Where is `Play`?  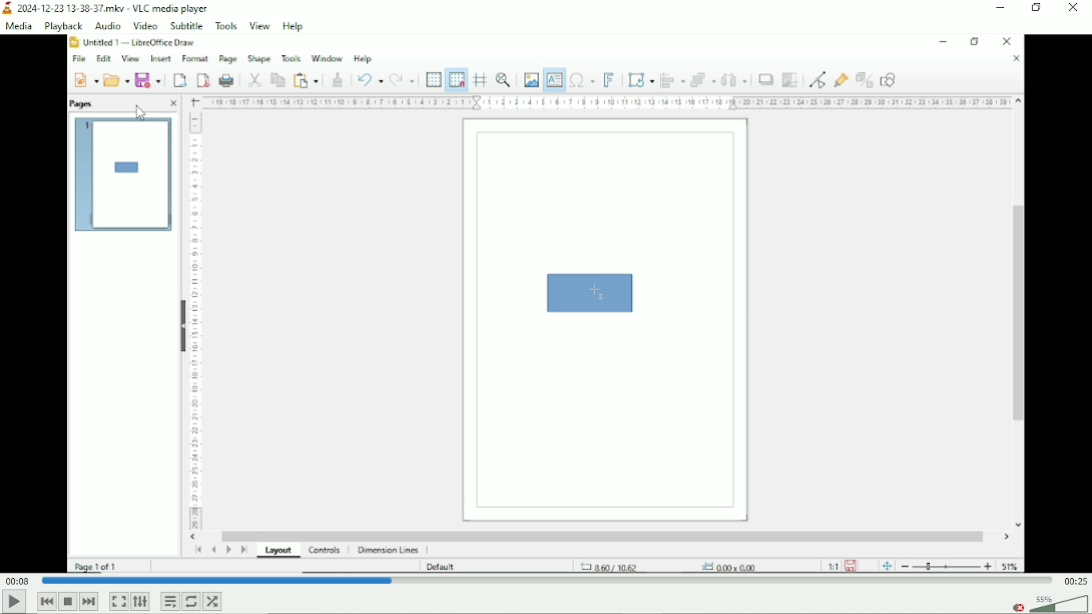
Play is located at coordinates (14, 603).